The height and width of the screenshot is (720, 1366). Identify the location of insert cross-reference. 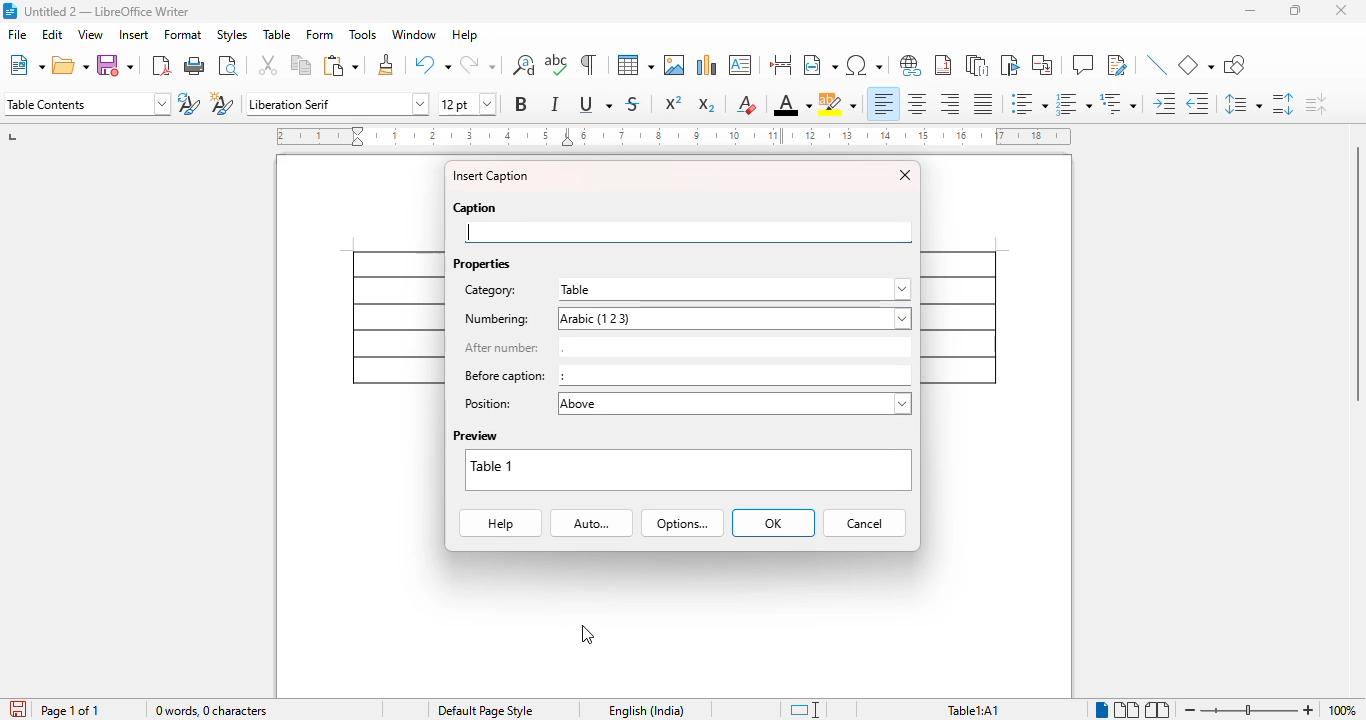
(1042, 64).